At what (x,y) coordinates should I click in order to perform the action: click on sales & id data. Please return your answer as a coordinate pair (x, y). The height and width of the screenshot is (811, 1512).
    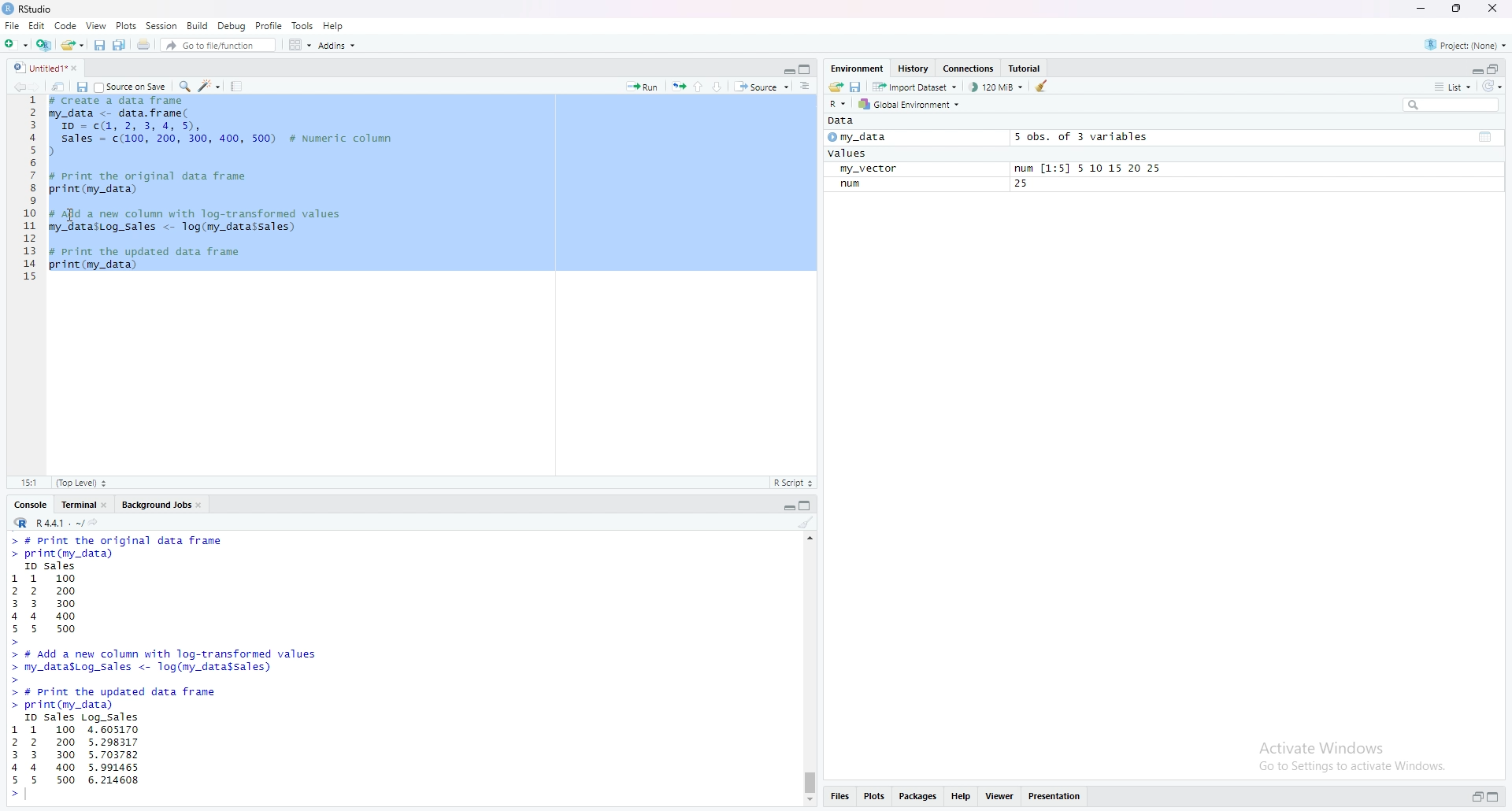
    Looking at the image, I should click on (48, 597).